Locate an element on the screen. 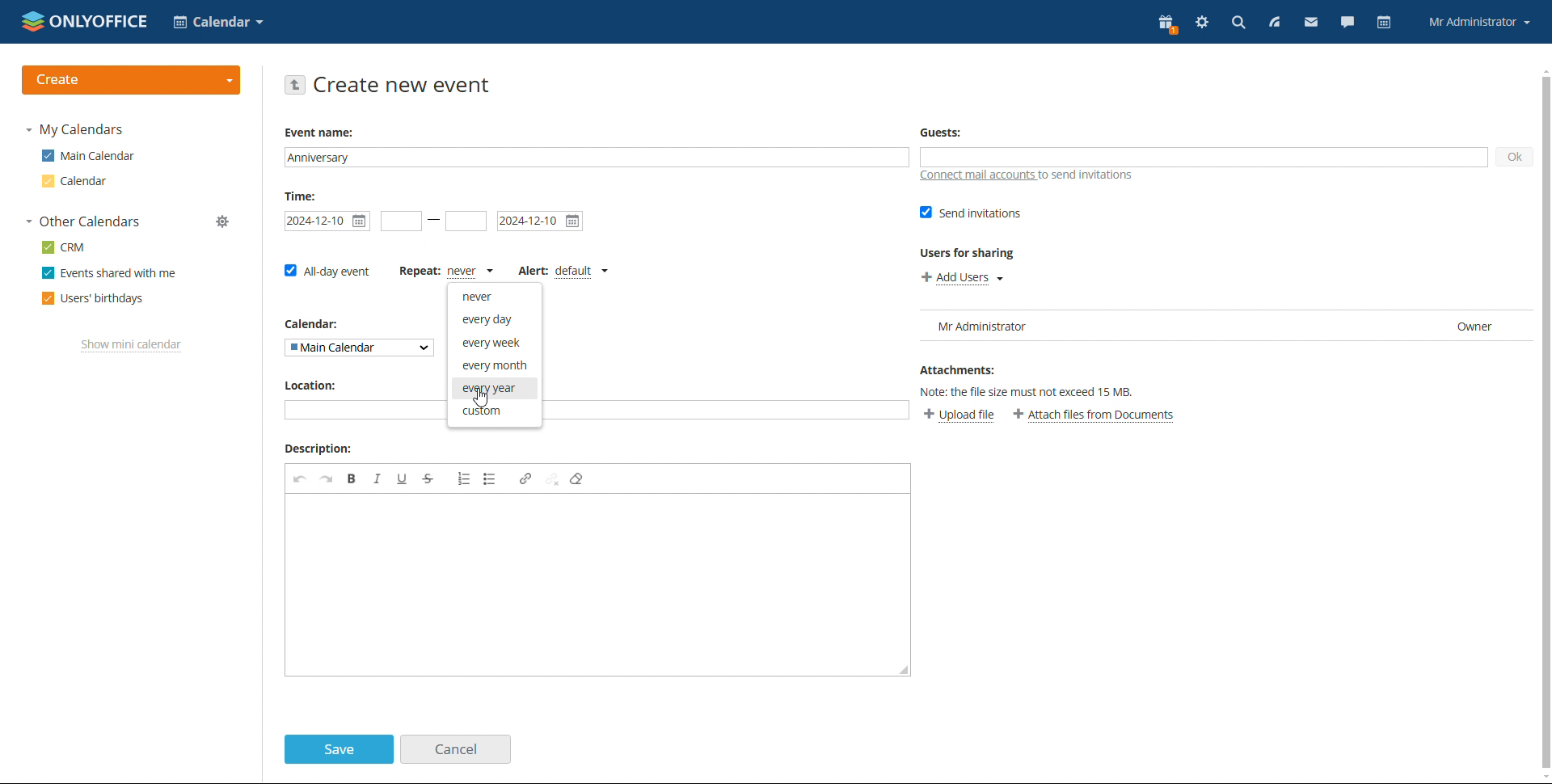 This screenshot has width=1552, height=784. present is located at coordinates (1166, 24).